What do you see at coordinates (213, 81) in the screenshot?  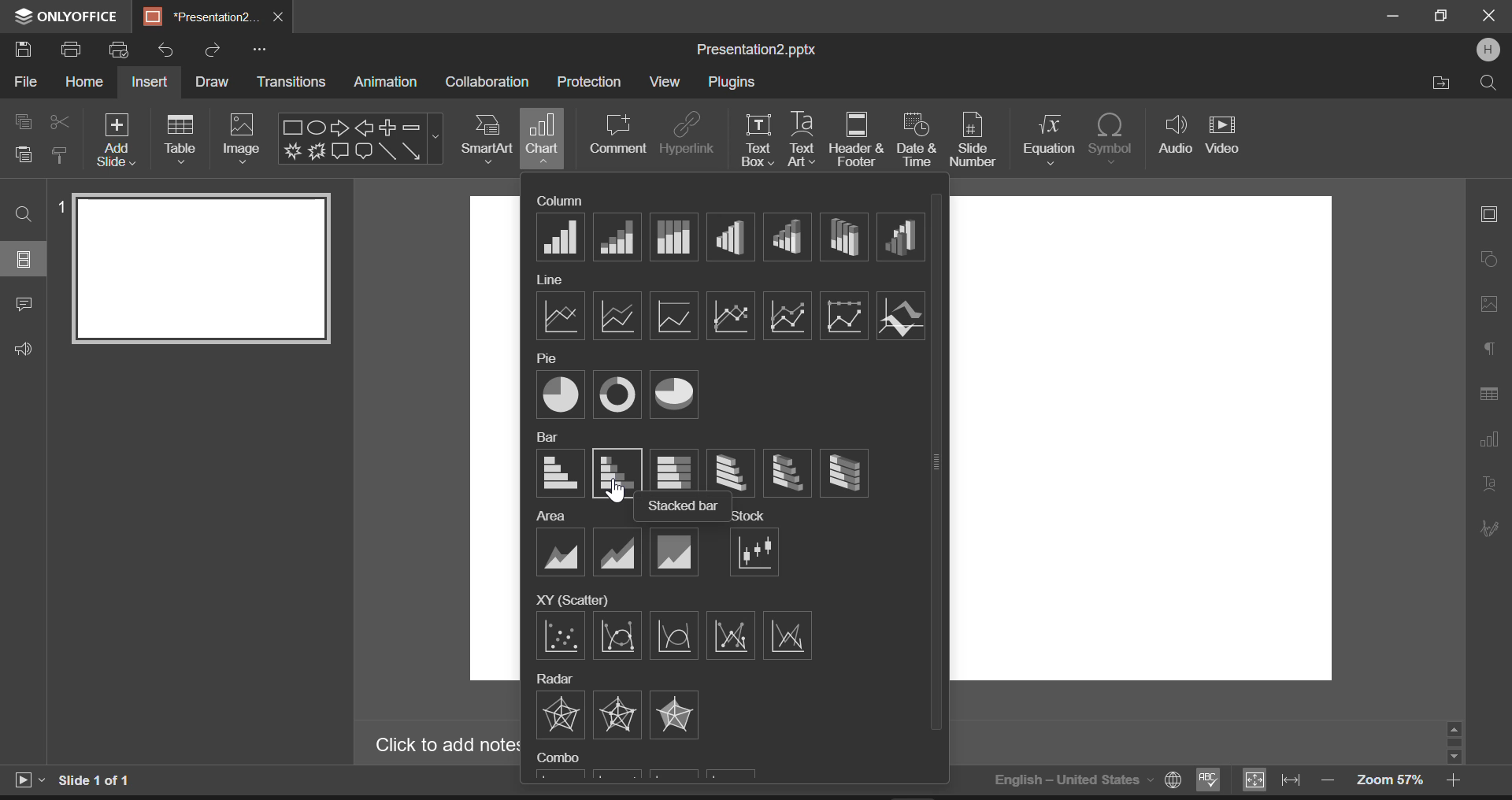 I see `Draw` at bounding box center [213, 81].